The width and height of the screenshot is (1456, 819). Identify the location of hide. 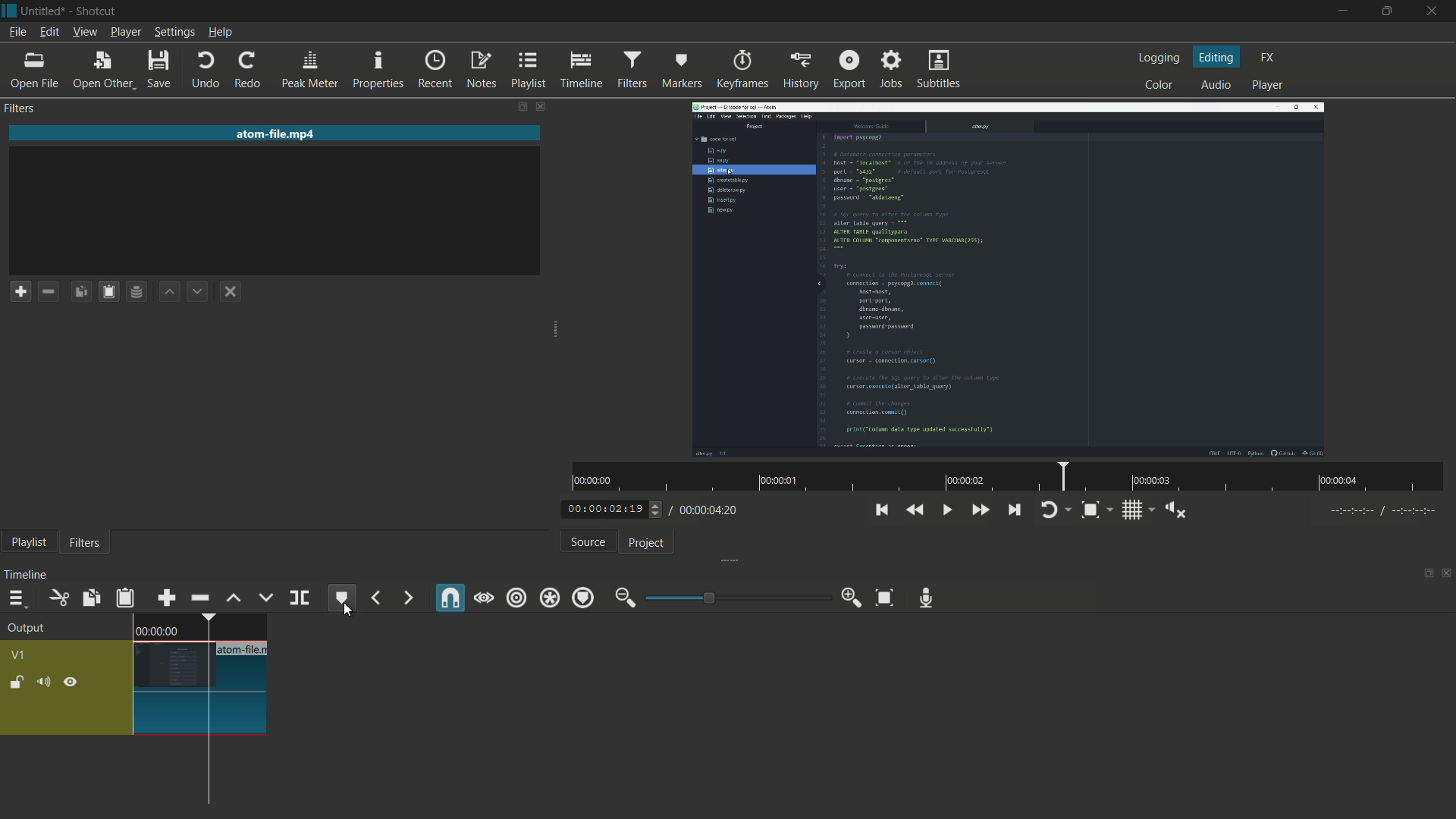
(72, 682).